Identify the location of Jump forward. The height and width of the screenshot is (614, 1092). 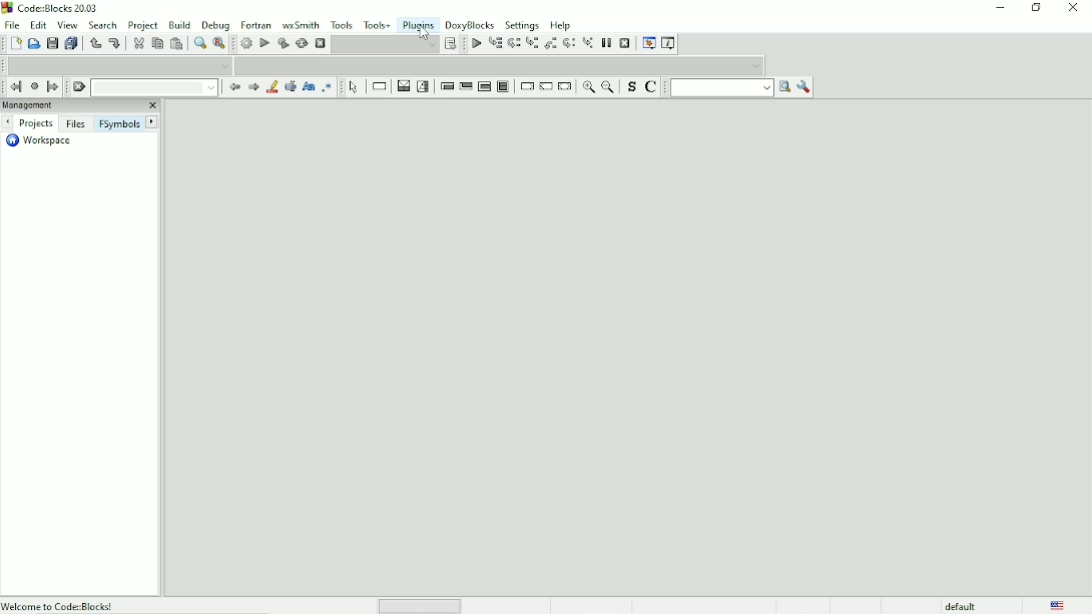
(53, 87).